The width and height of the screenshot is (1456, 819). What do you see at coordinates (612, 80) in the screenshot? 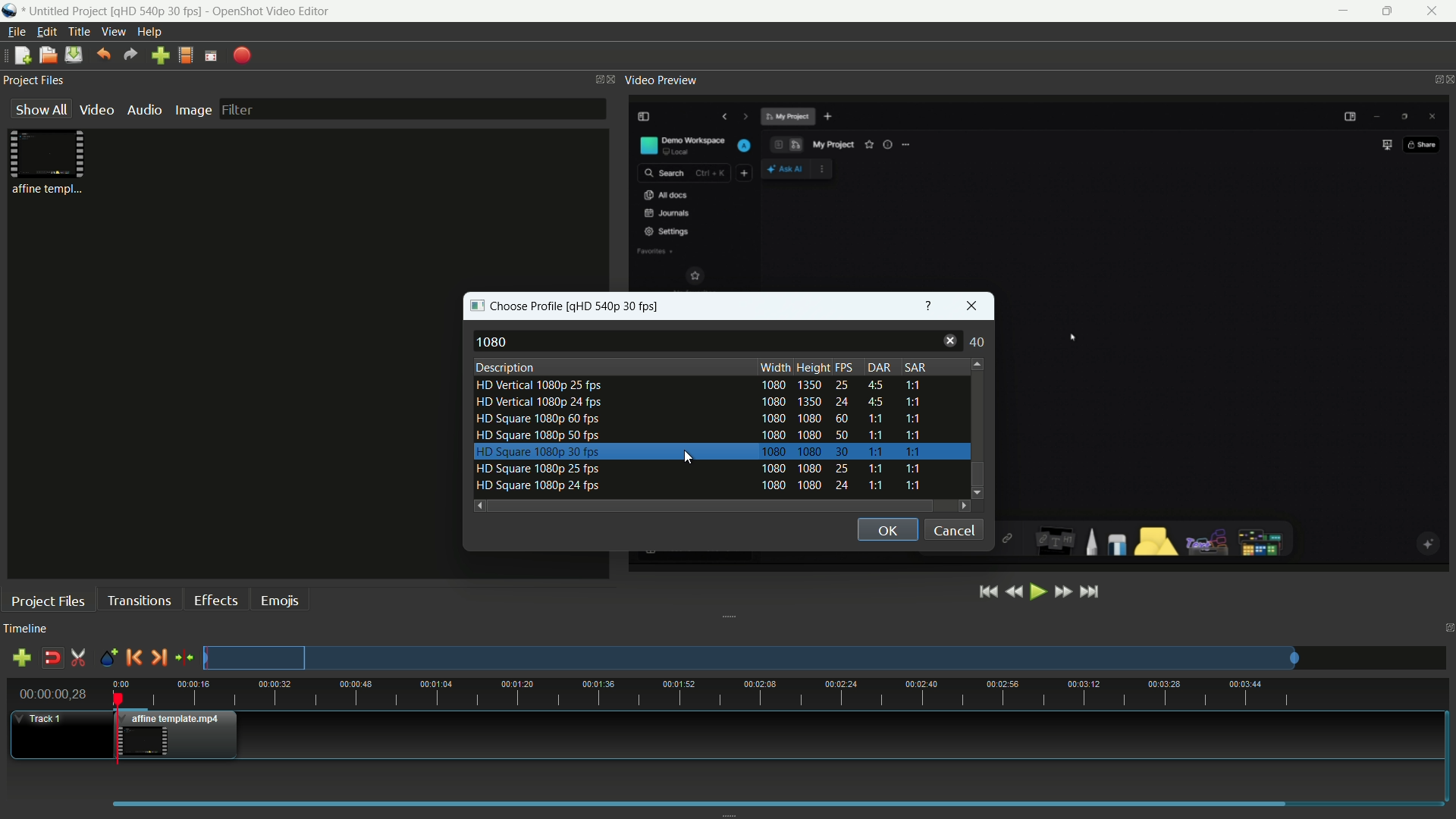
I see `close project files` at bounding box center [612, 80].